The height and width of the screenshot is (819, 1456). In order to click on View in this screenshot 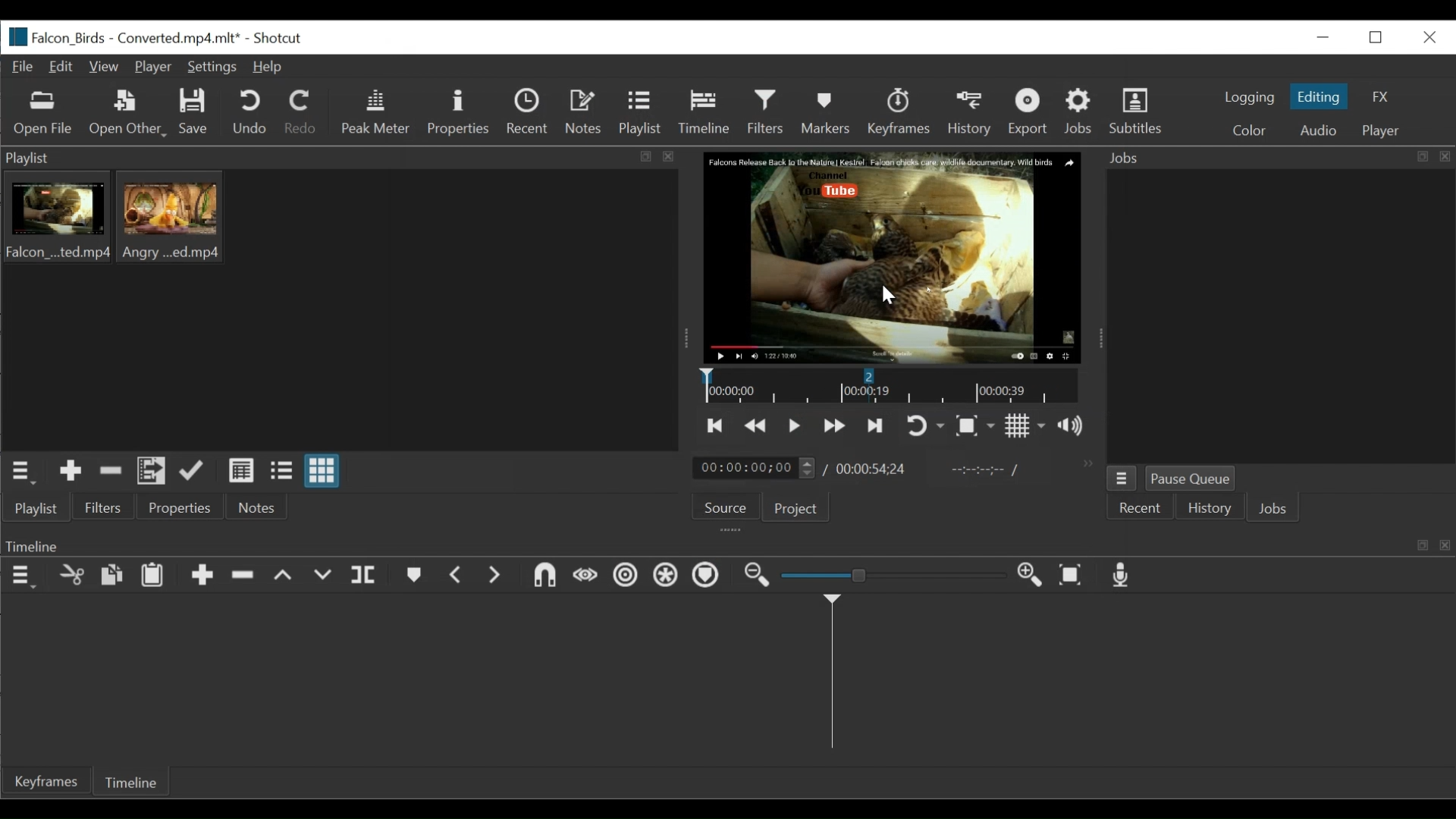, I will do `click(106, 67)`.